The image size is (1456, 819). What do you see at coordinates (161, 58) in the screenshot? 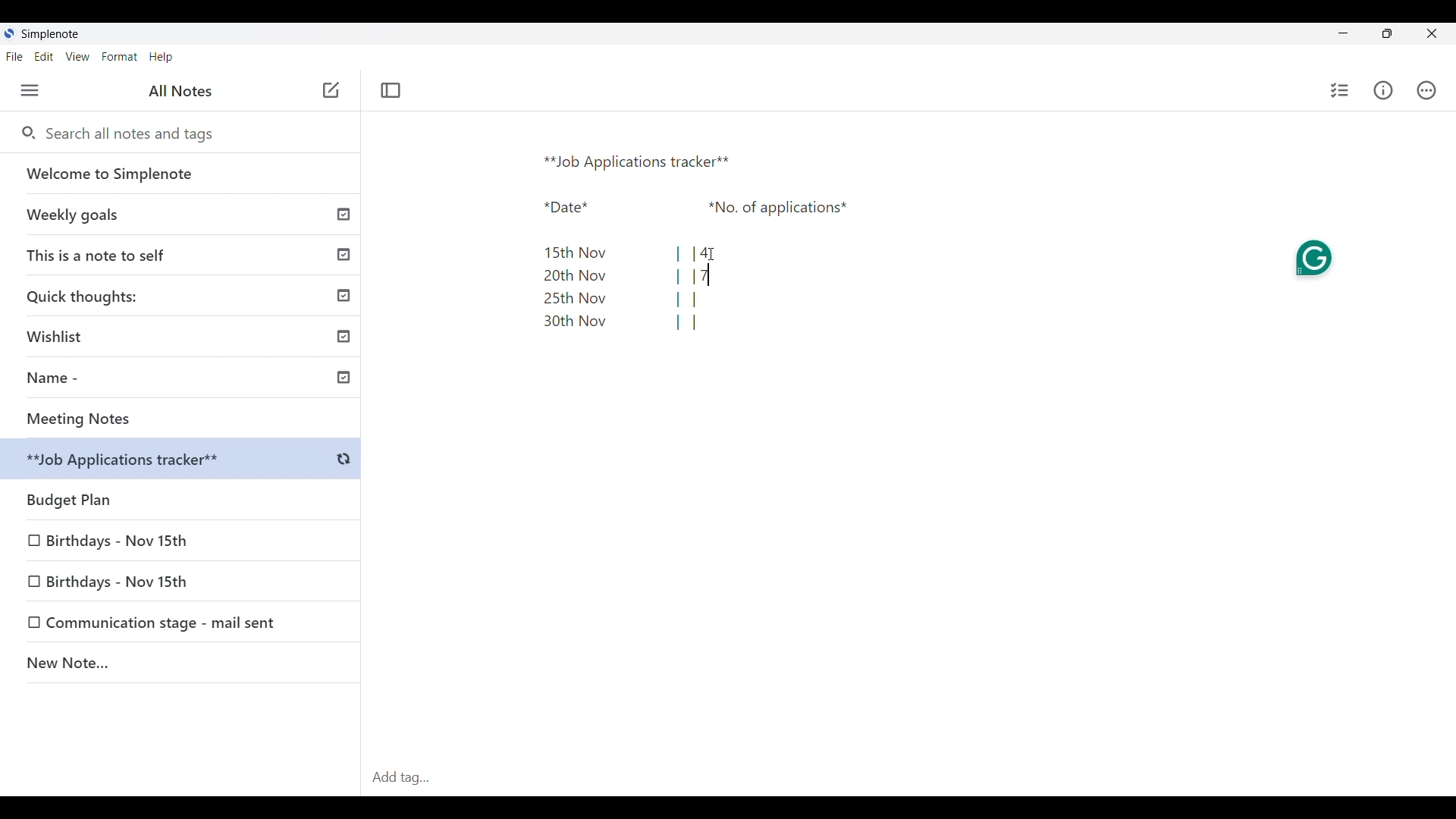
I see `Help ` at bounding box center [161, 58].